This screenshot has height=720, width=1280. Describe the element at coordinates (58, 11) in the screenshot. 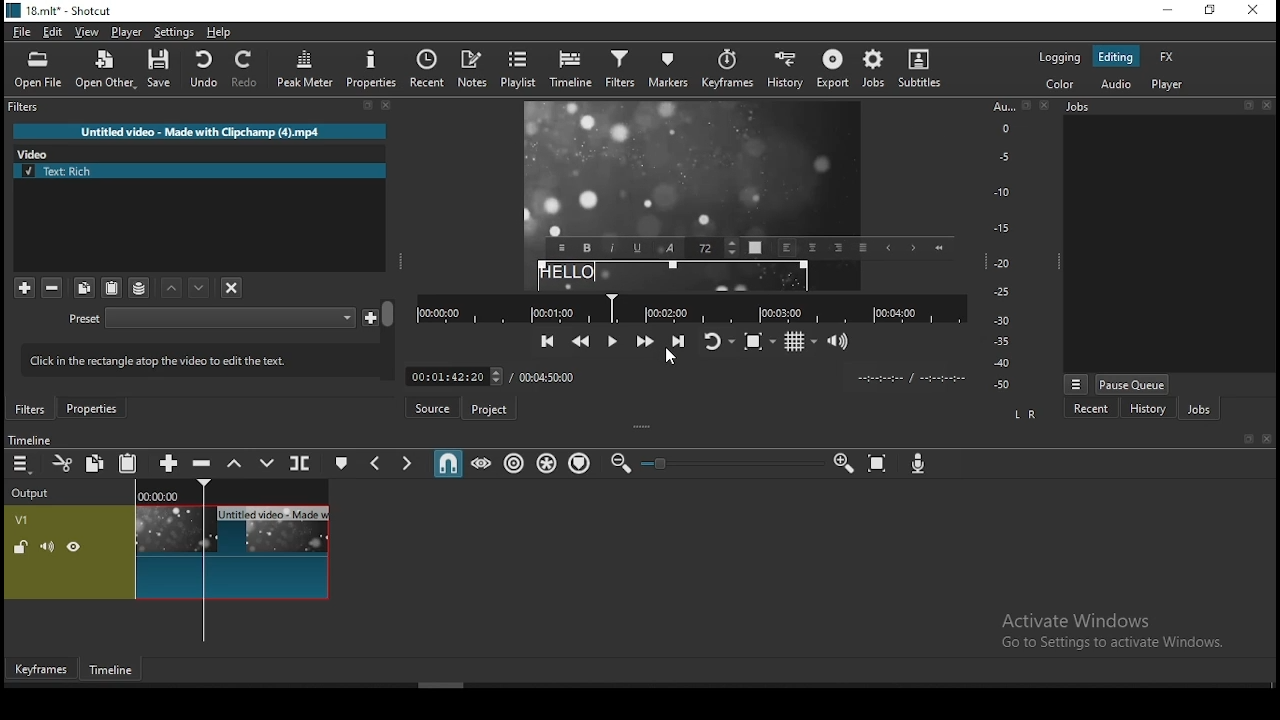

I see `icon and file name` at that location.